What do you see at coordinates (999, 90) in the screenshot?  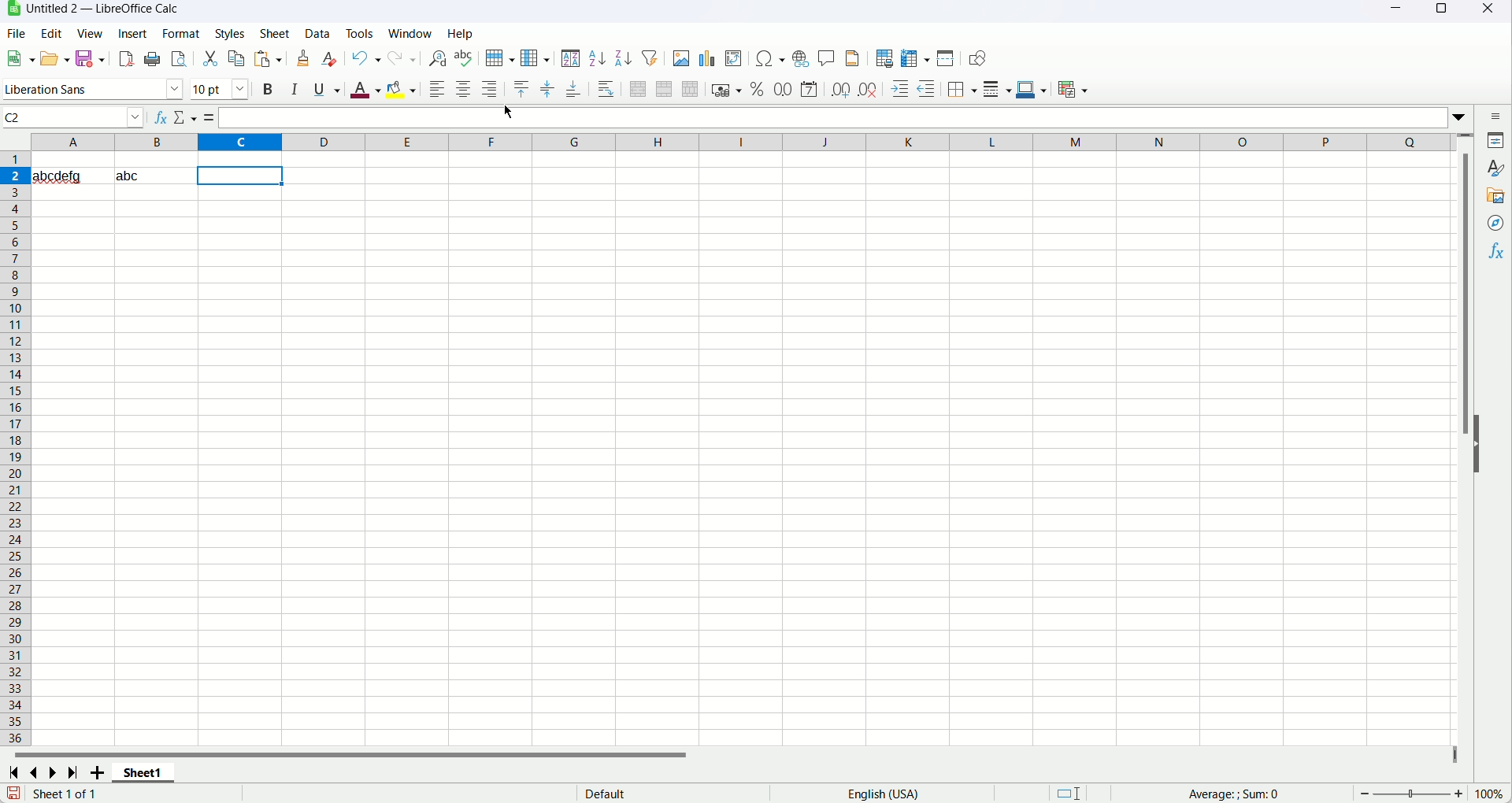 I see `border style` at bounding box center [999, 90].